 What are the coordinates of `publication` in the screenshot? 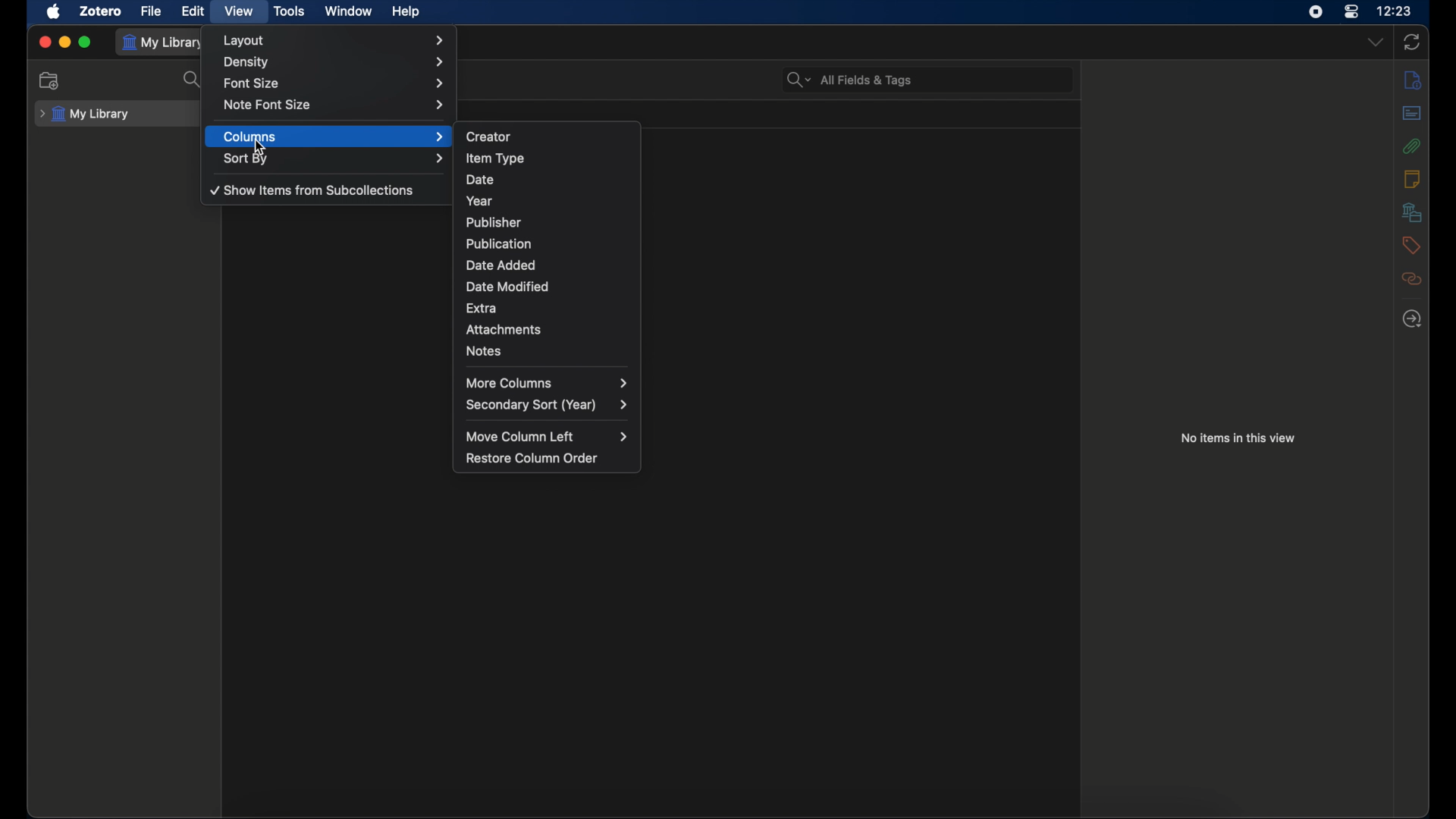 It's located at (499, 243).